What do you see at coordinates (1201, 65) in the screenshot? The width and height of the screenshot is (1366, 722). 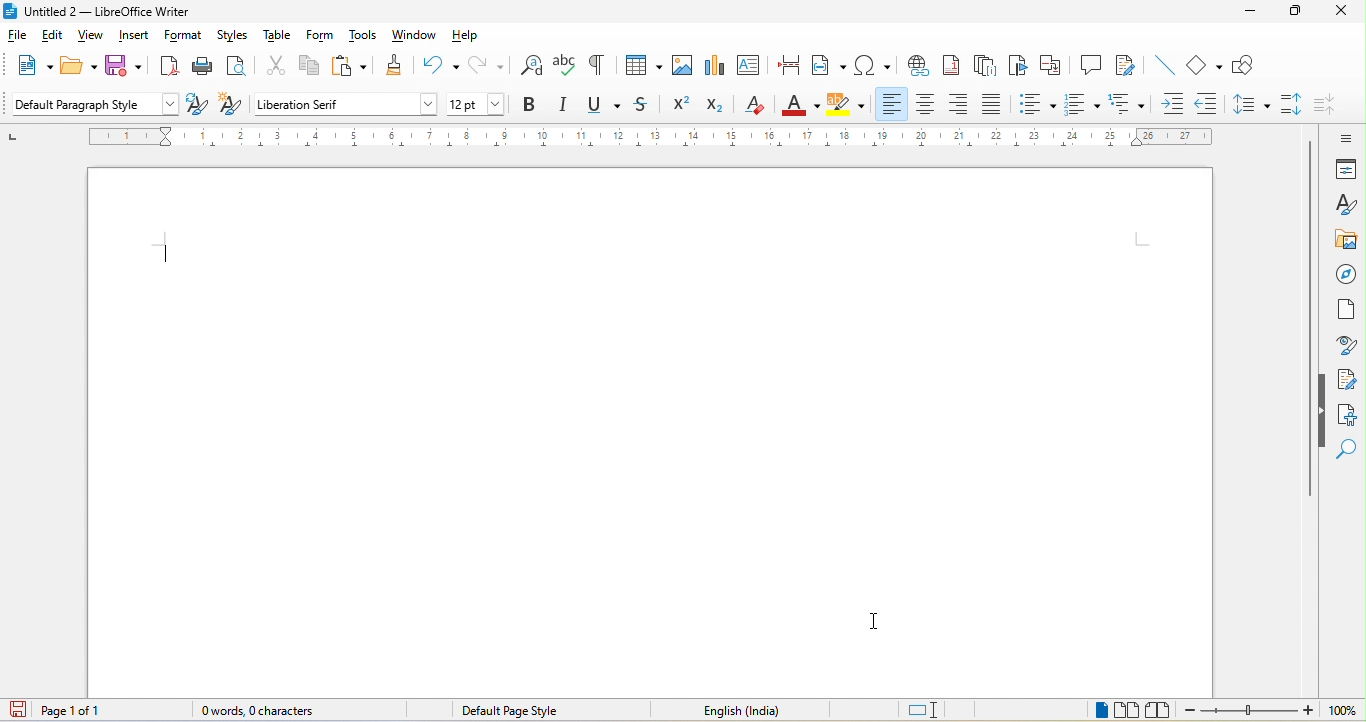 I see `basic shapes` at bounding box center [1201, 65].